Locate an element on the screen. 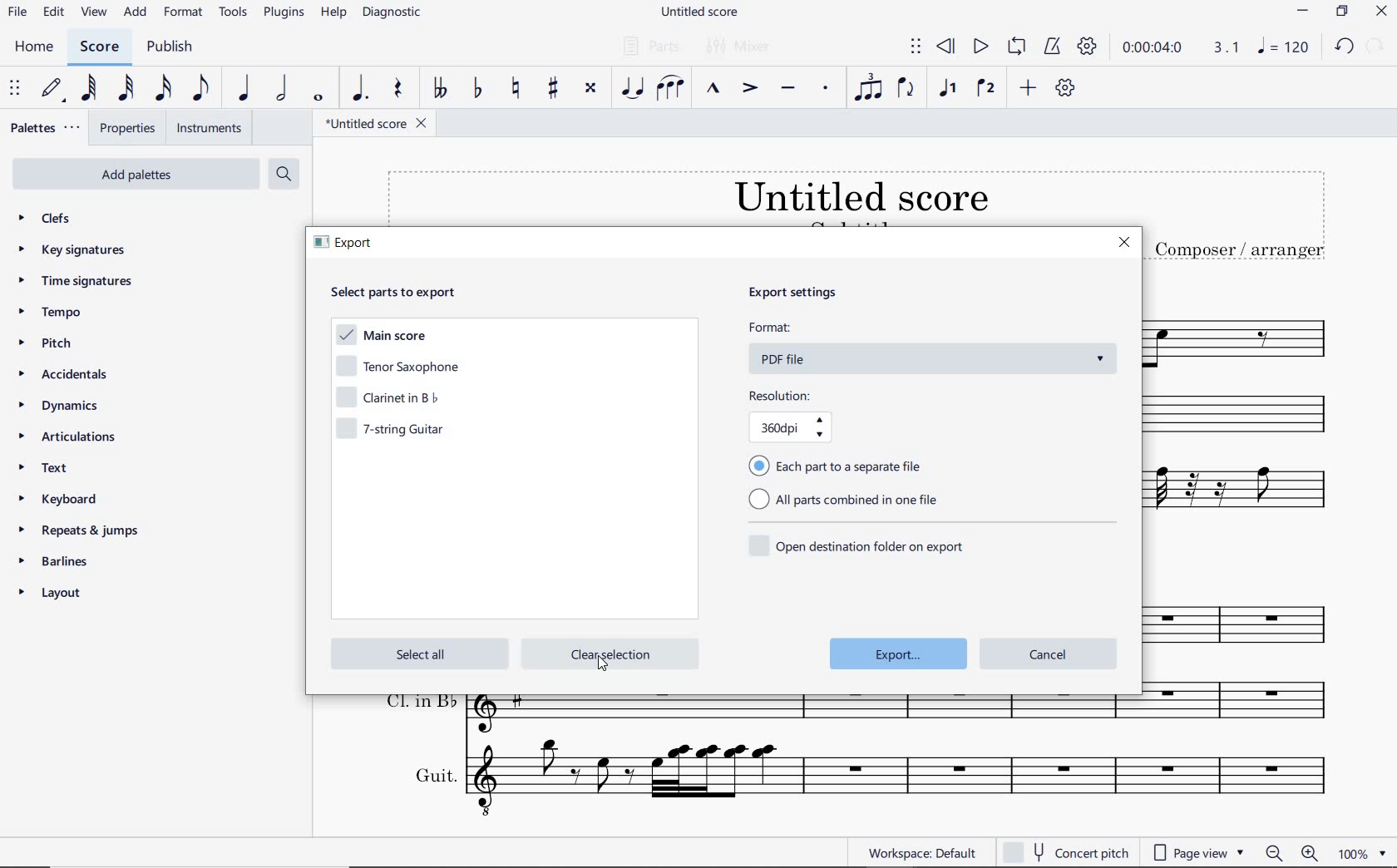 This screenshot has width=1397, height=868. INSTRUMENTS is located at coordinates (208, 129).